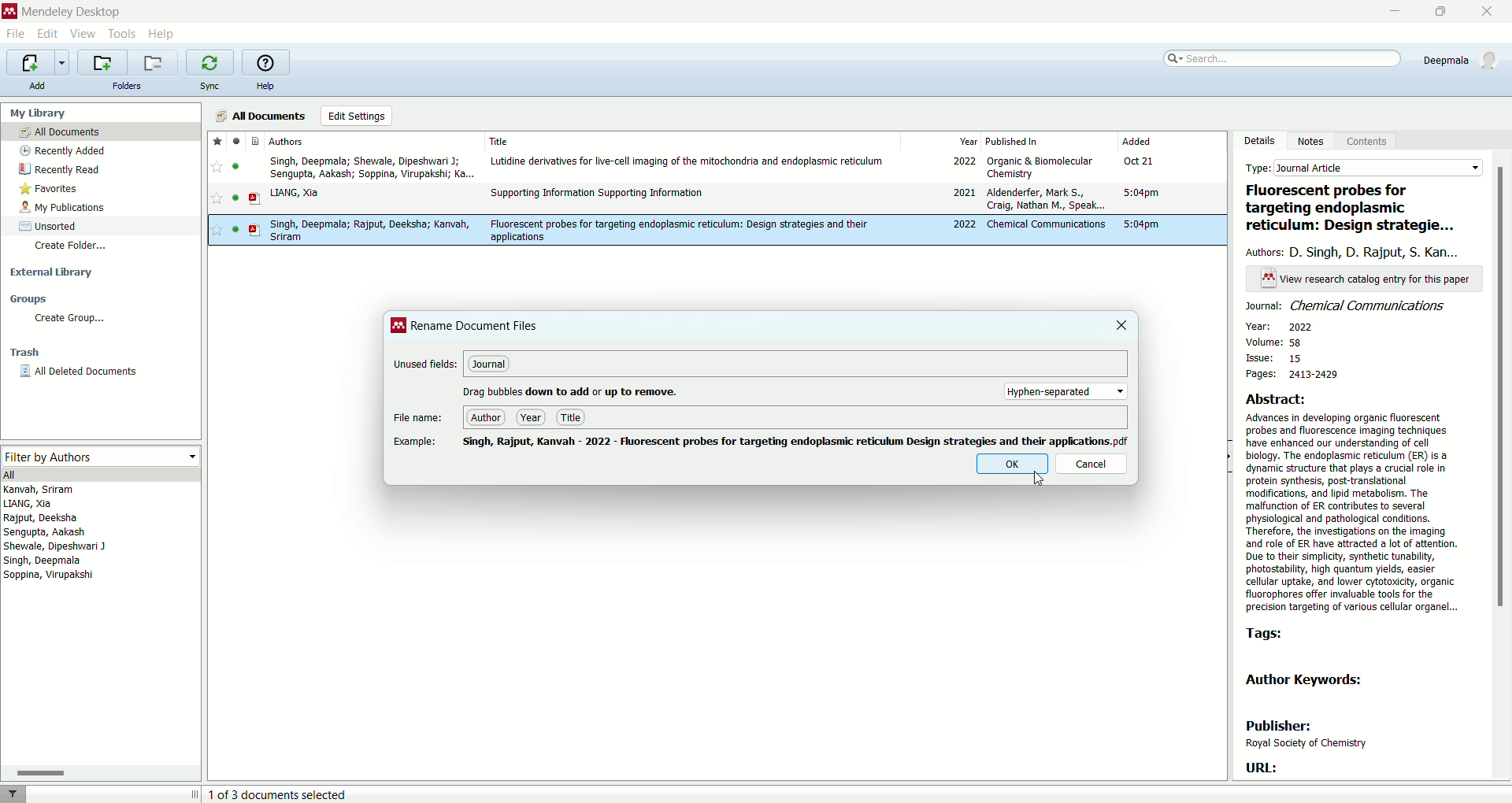  Describe the element at coordinates (215, 201) in the screenshot. I see `favorite` at that location.